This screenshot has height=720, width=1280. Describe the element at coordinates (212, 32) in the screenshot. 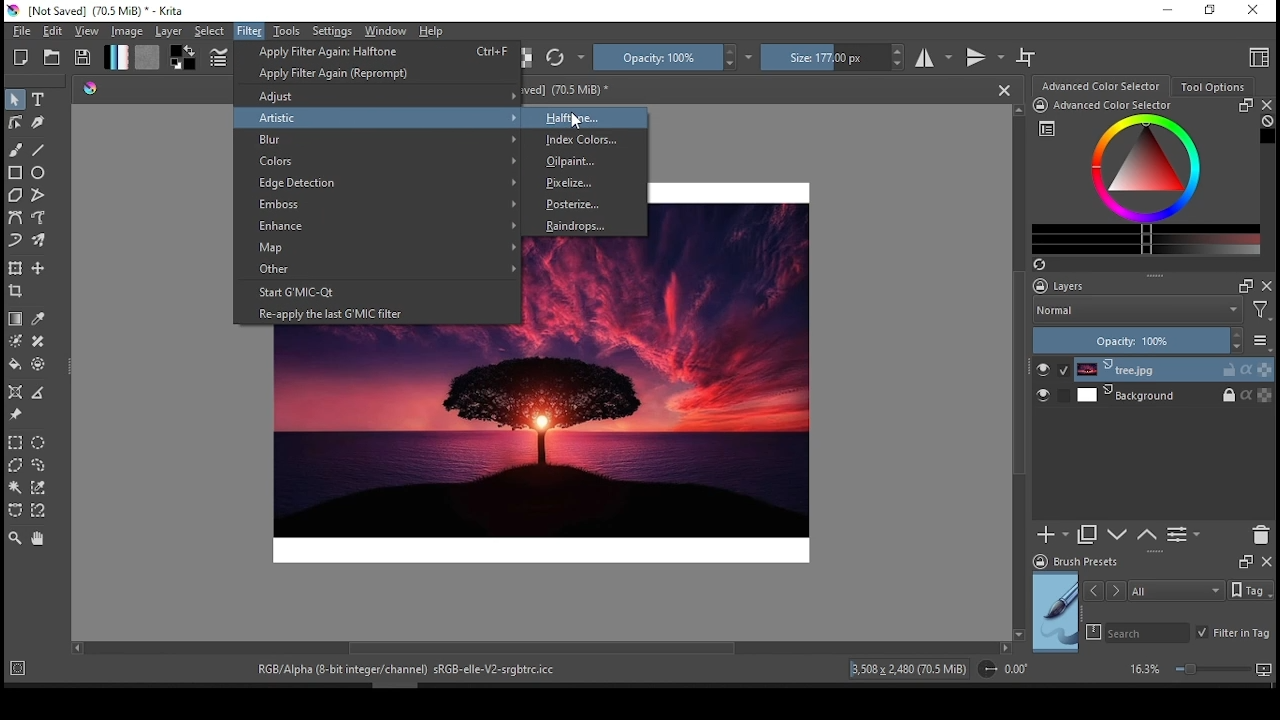

I see `select` at that location.